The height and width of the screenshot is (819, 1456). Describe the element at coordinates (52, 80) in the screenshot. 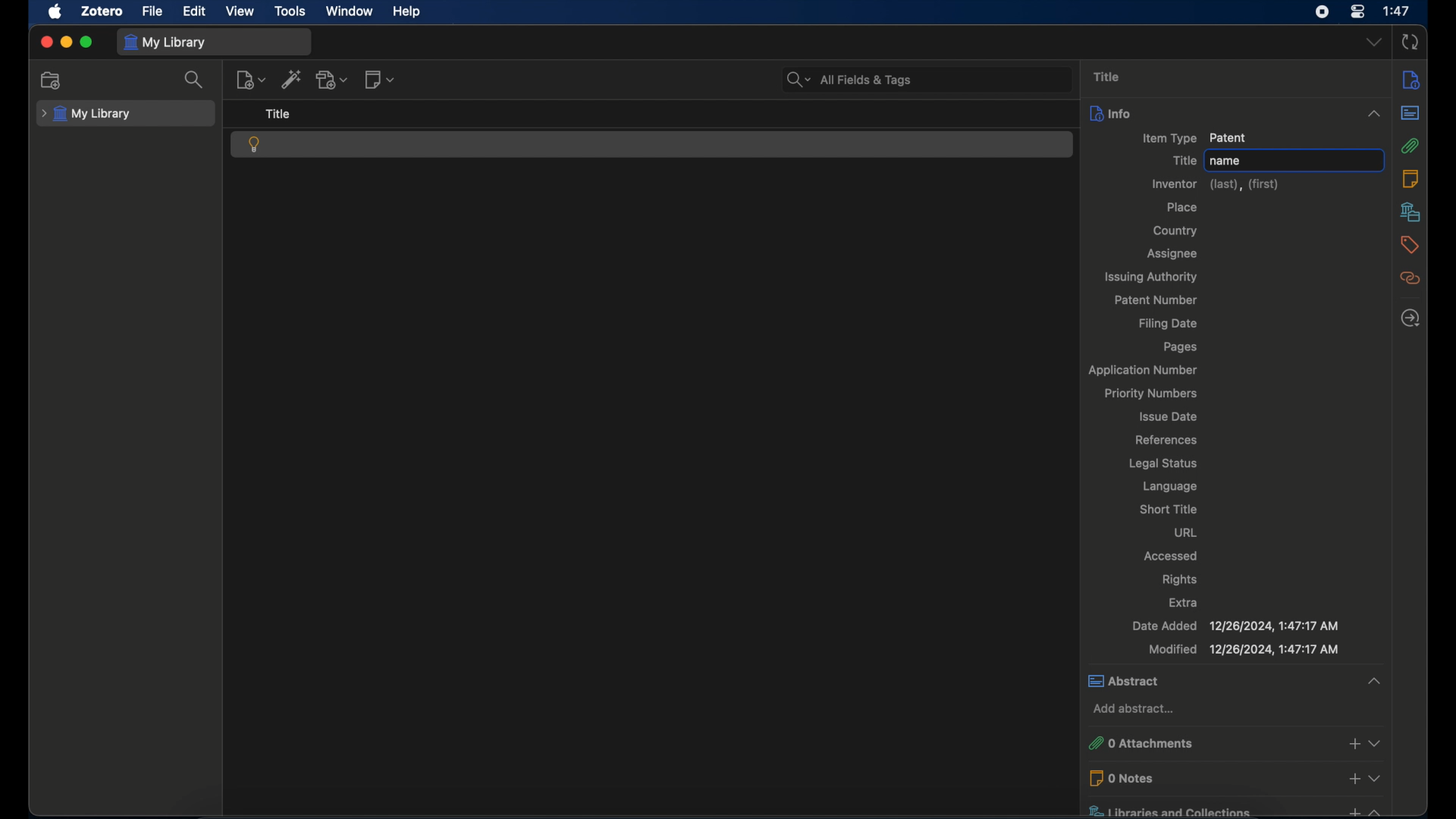

I see `new collection` at that location.